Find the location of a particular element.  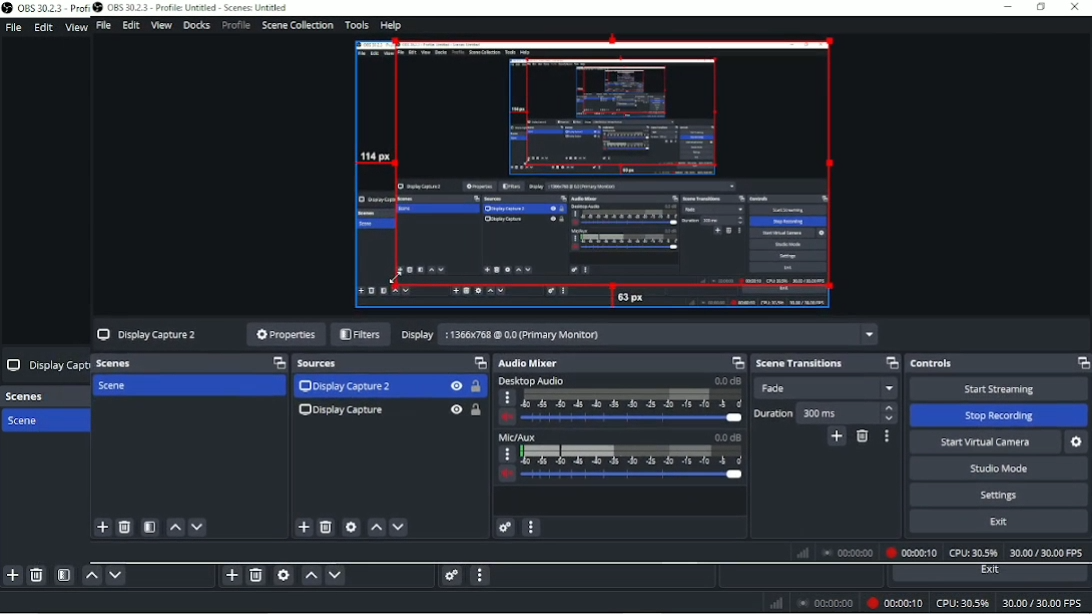

‘Studio Mode is located at coordinates (997, 467).